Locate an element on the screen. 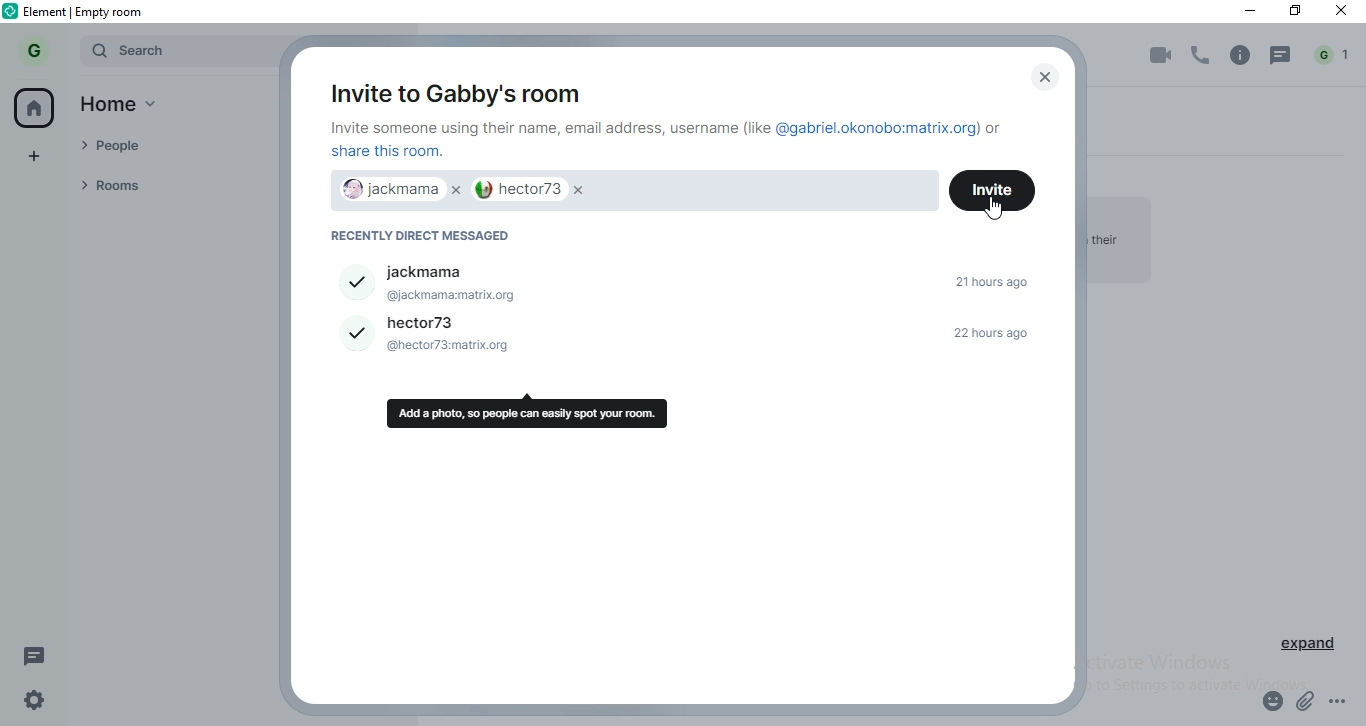 This screenshot has width=1366, height=726. people is located at coordinates (163, 148).